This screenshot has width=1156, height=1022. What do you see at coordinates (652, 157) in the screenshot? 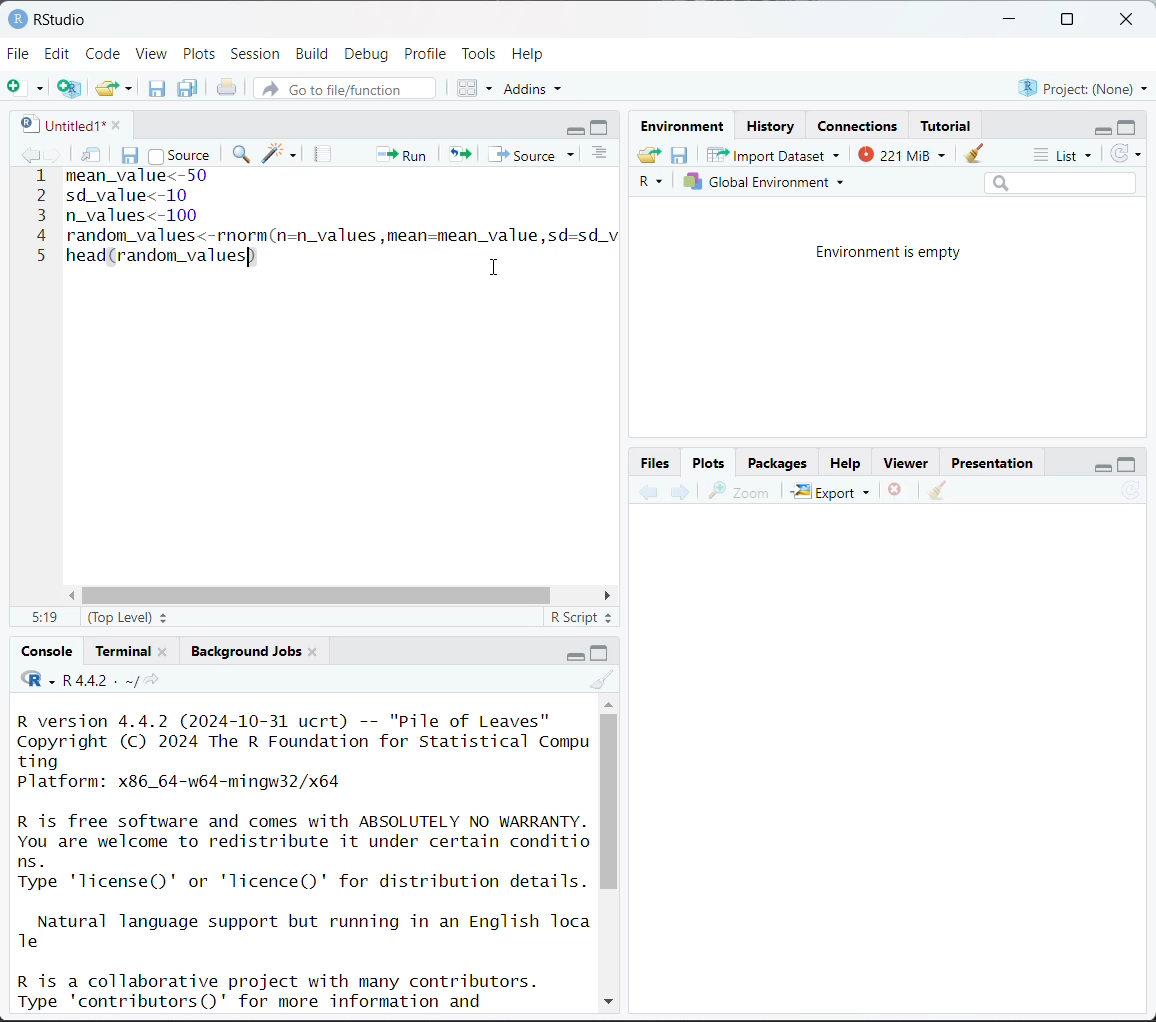
I see `load workspace` at bounding box center [652, 157].